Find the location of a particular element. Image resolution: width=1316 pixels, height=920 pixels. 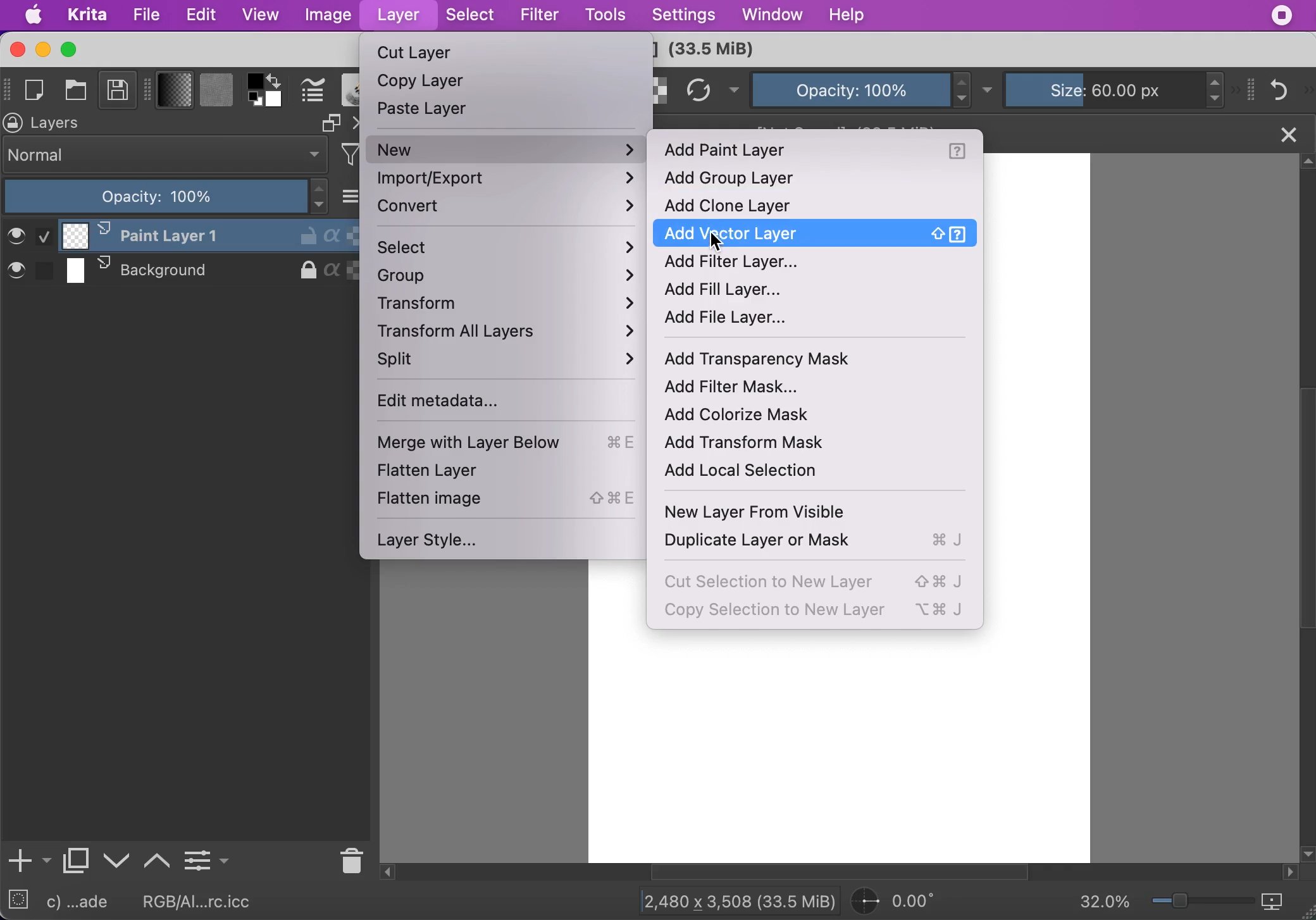

select is located at coordinates (471, 16).